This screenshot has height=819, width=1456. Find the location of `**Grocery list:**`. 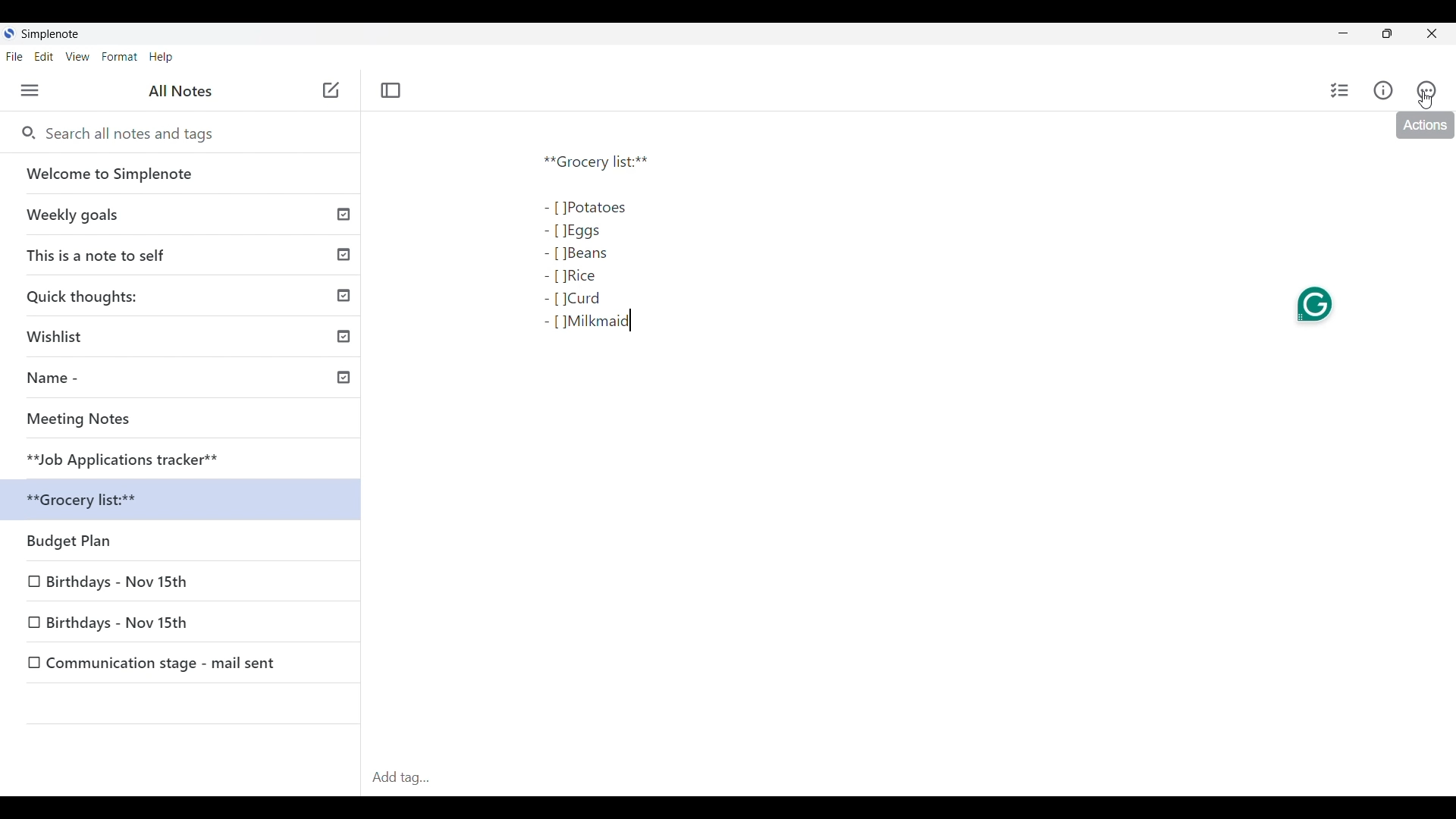

**Grocery list:** is located at coordinates (187, 502).